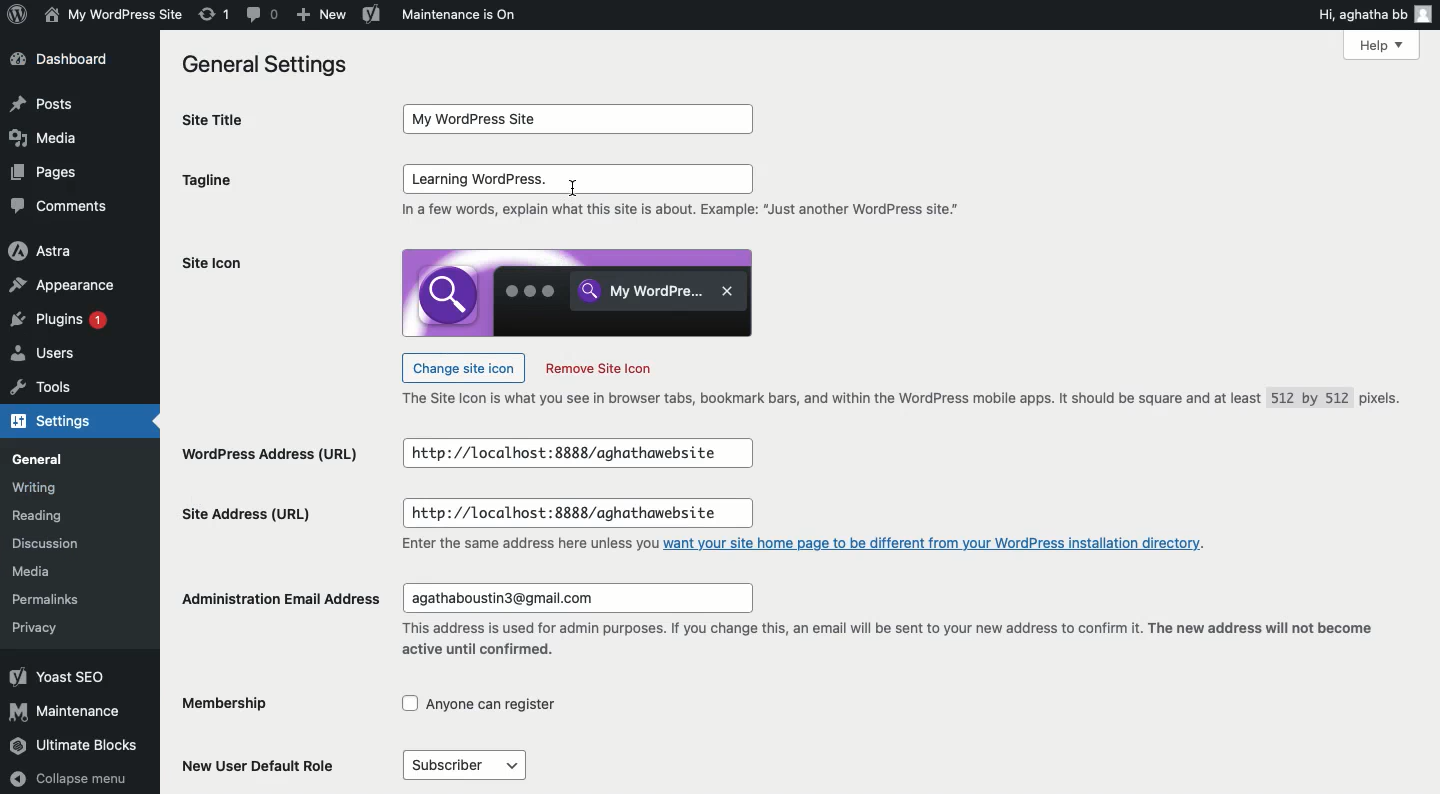 This screenshot has width=1440, height=794. What do you see at coordinates (46, 356) in the screenshot?
I see `Users` at bounding box center [46, 356].